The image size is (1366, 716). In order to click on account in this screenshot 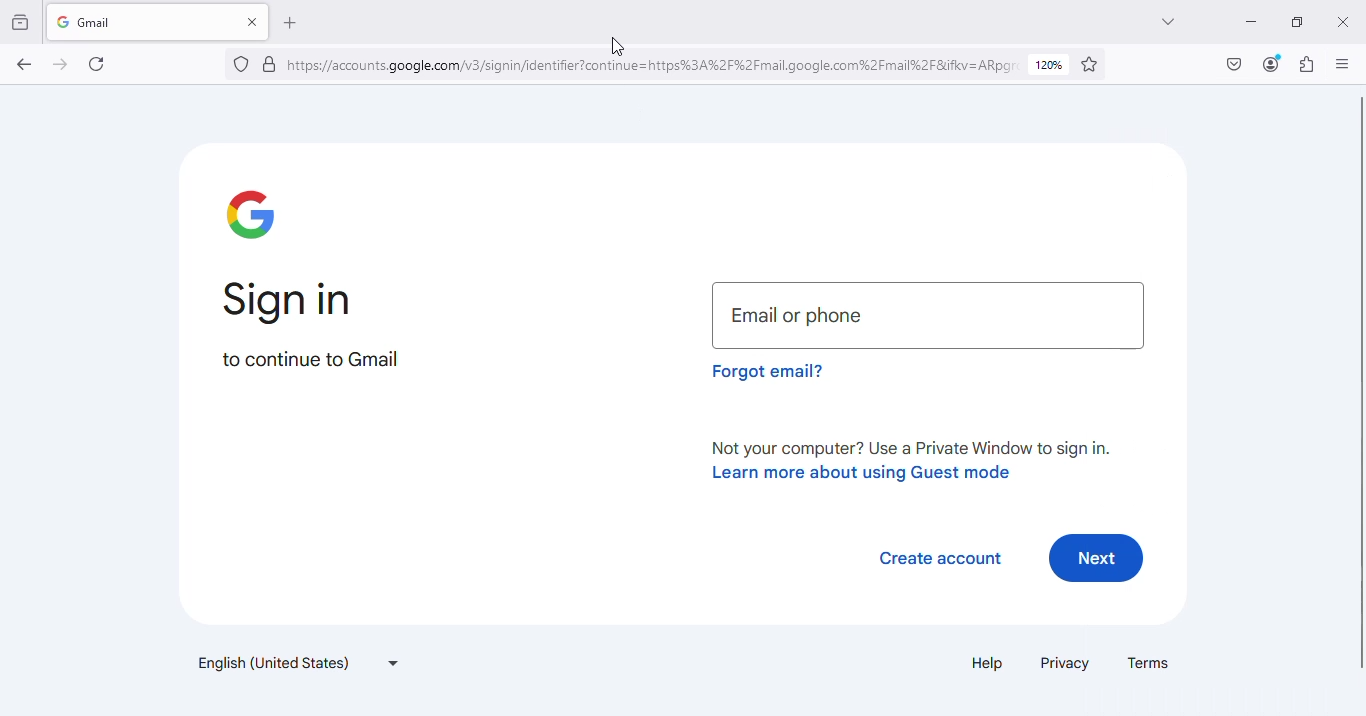, I will do `click(1271, 65)`.